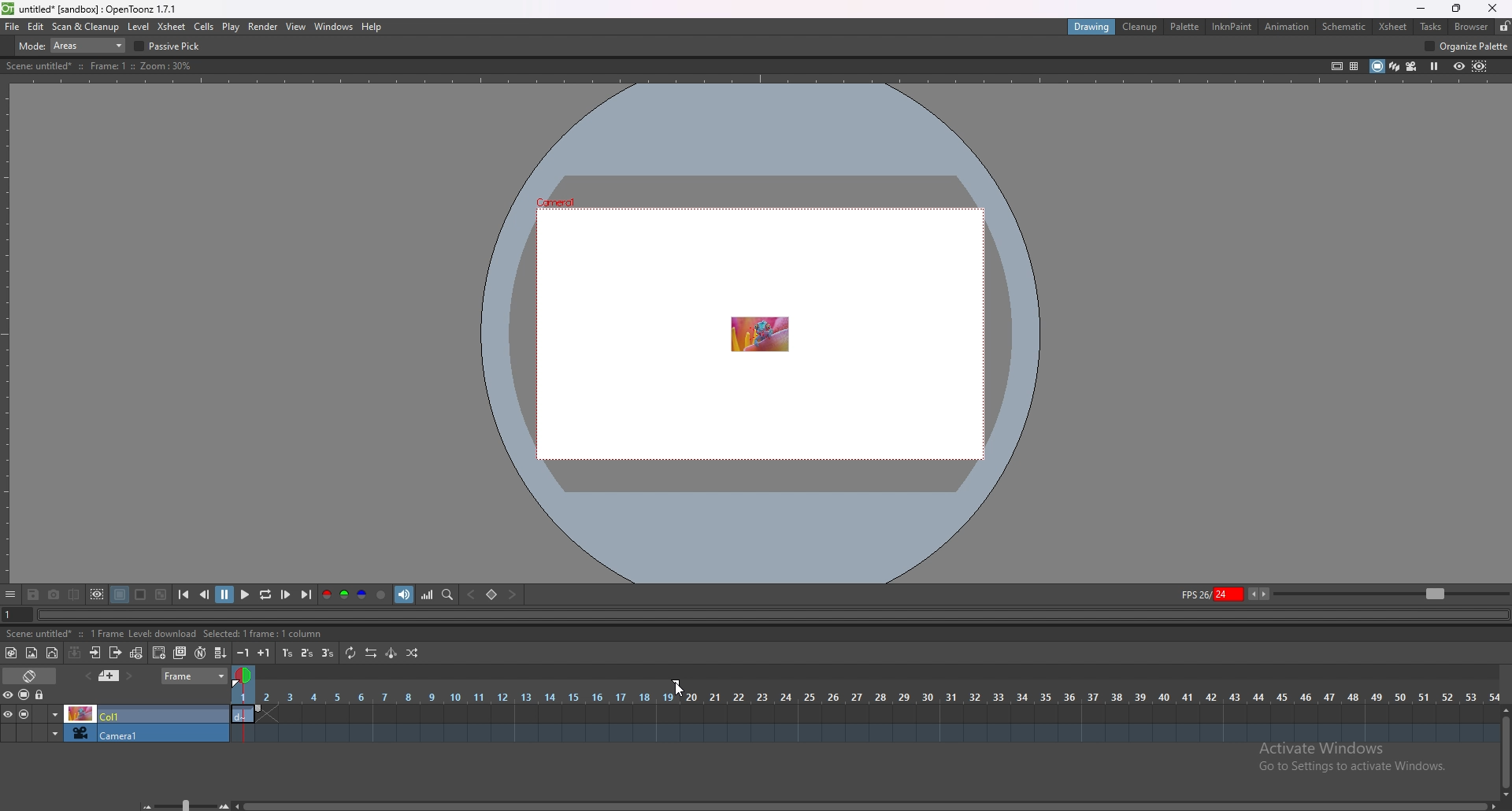 Image resolution: width=1512 pixels, height=811 pixels. I want to click on drawing, so click(1094, 27).